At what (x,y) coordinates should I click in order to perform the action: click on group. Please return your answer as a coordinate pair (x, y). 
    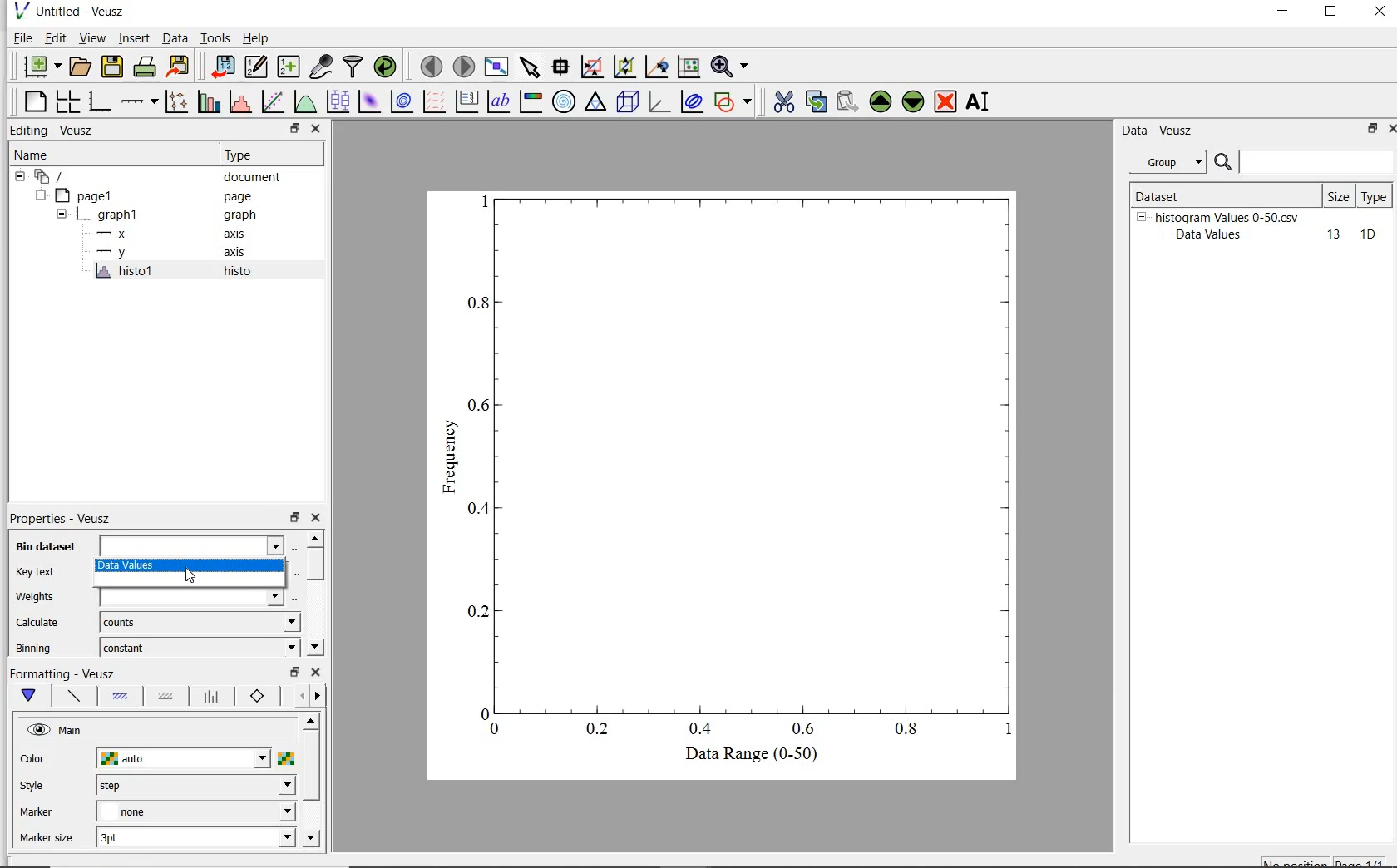
    Looking at the image, I should click on (1166, 162).